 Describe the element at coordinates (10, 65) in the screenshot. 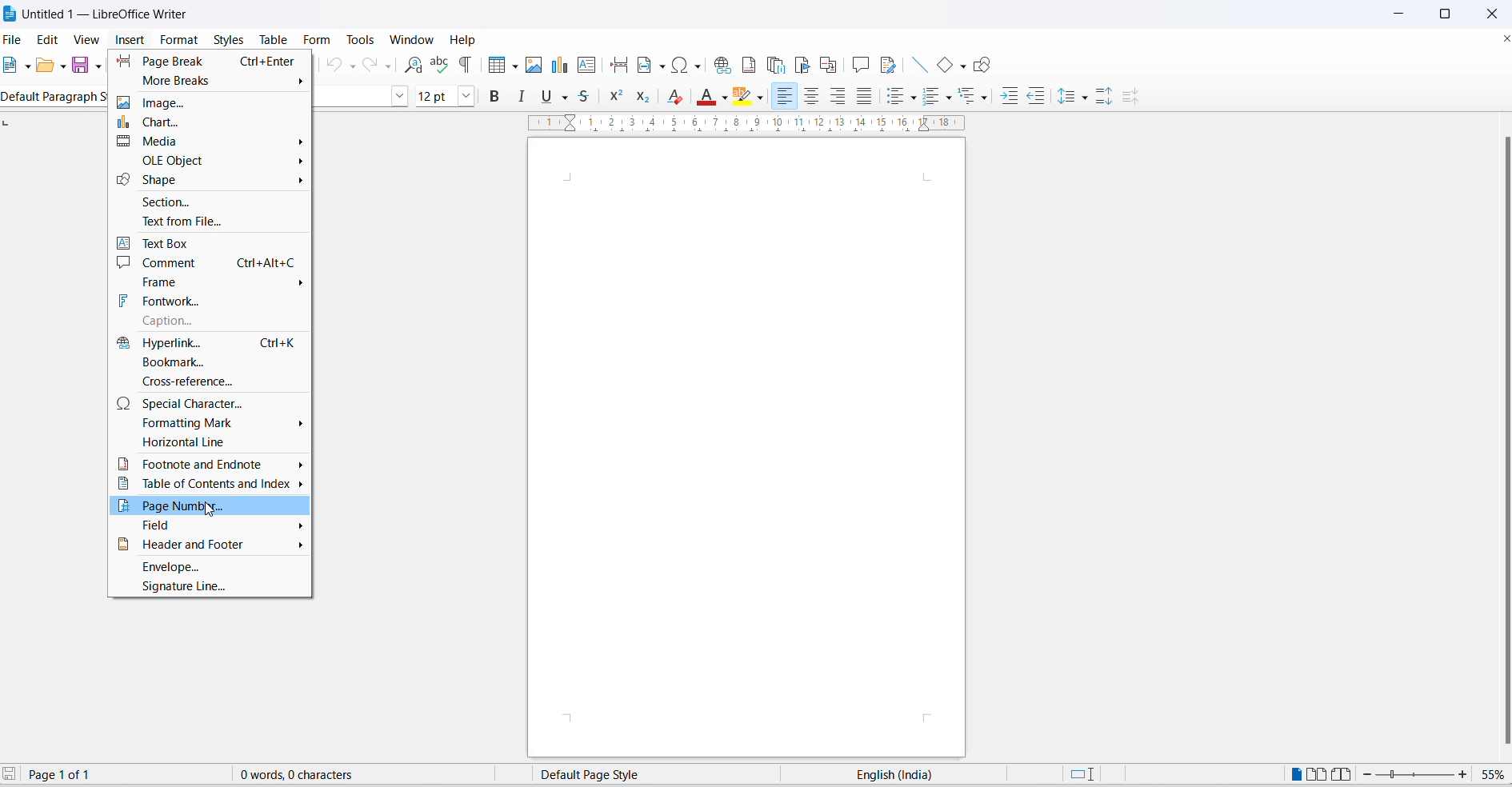

I see `new file` at that location.